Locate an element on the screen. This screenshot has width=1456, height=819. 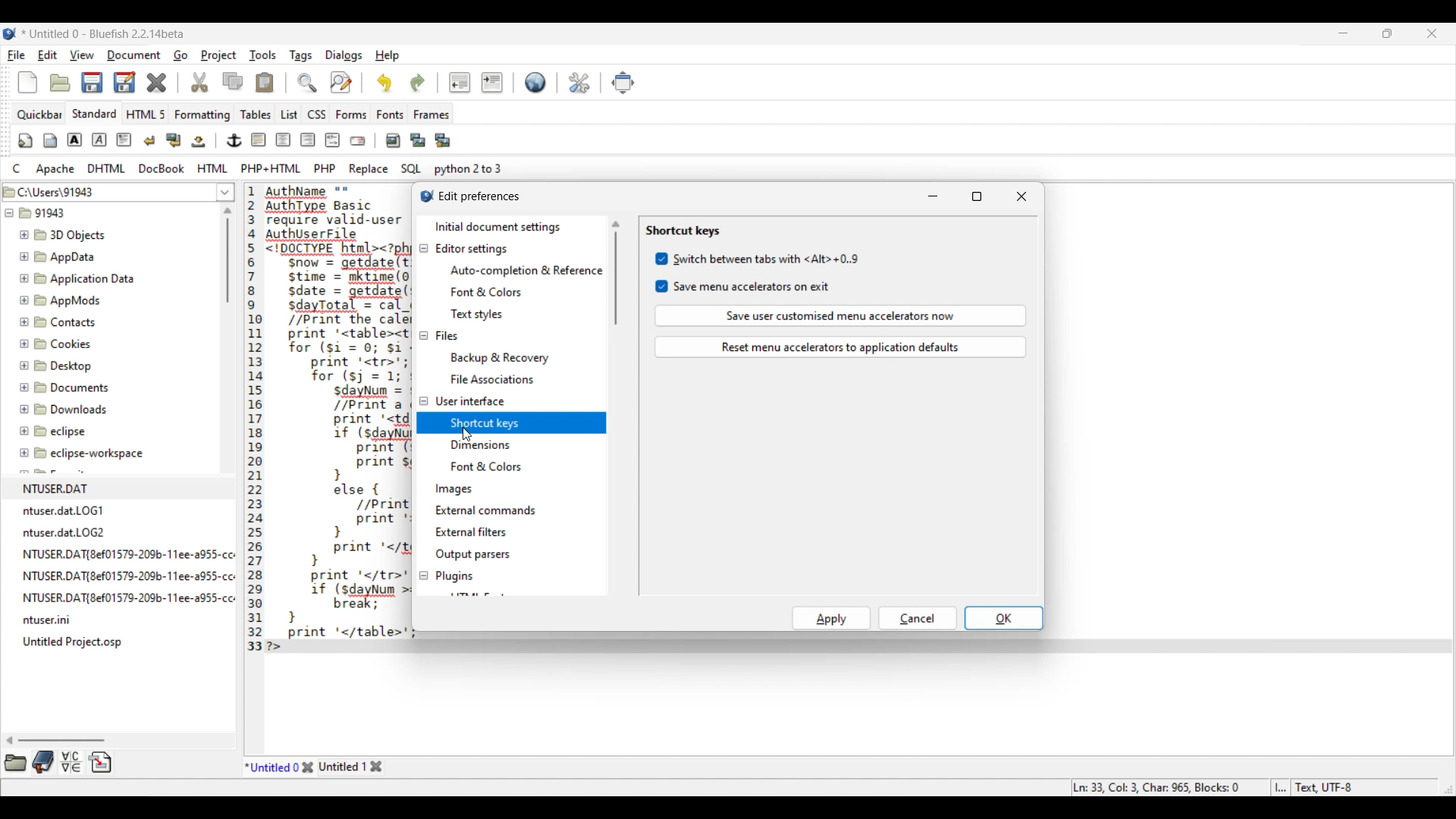
Collapse is located at coordinates (423, 412).